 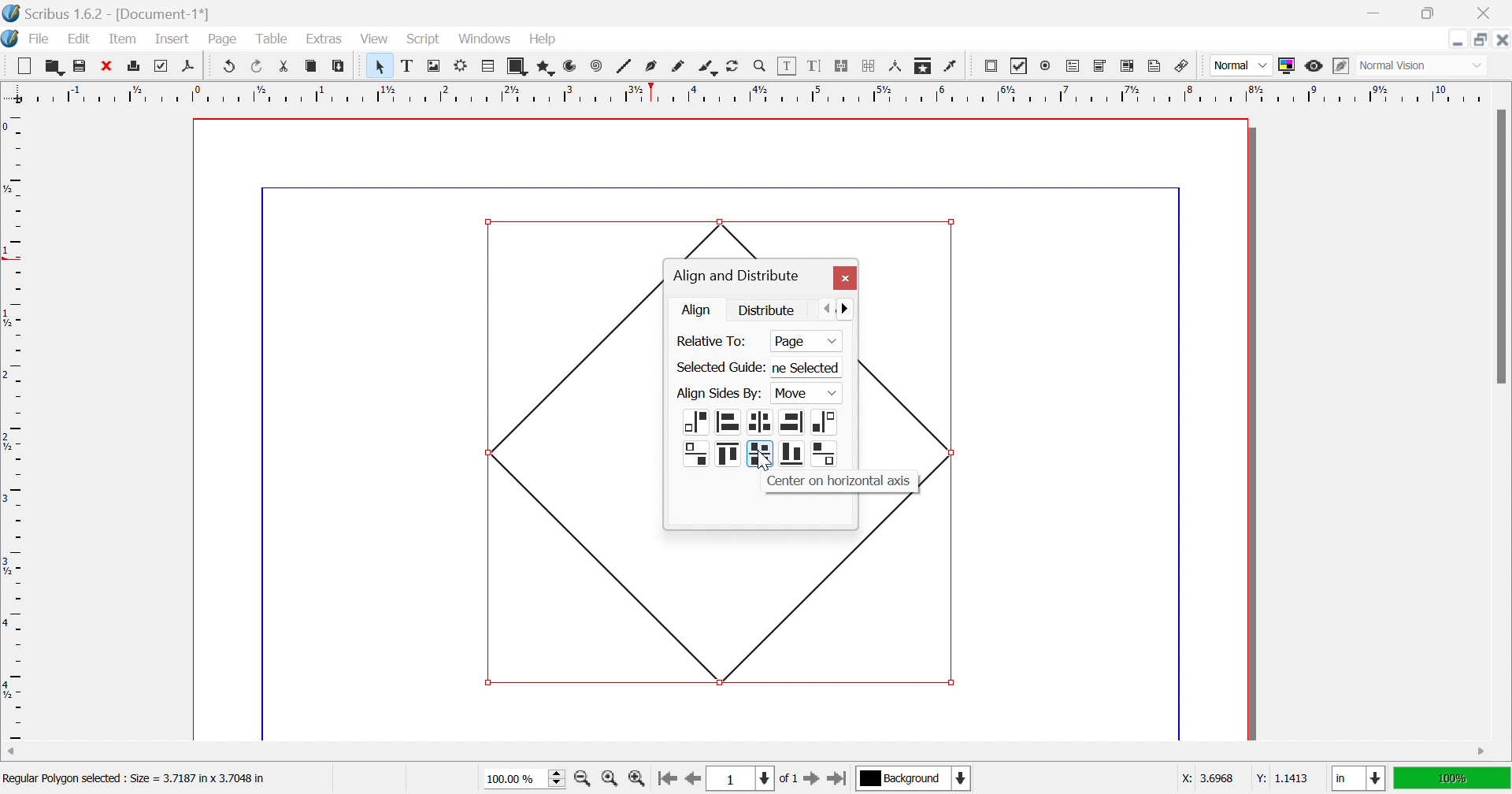 I want to click on alignments, so click(x=791, y=438).